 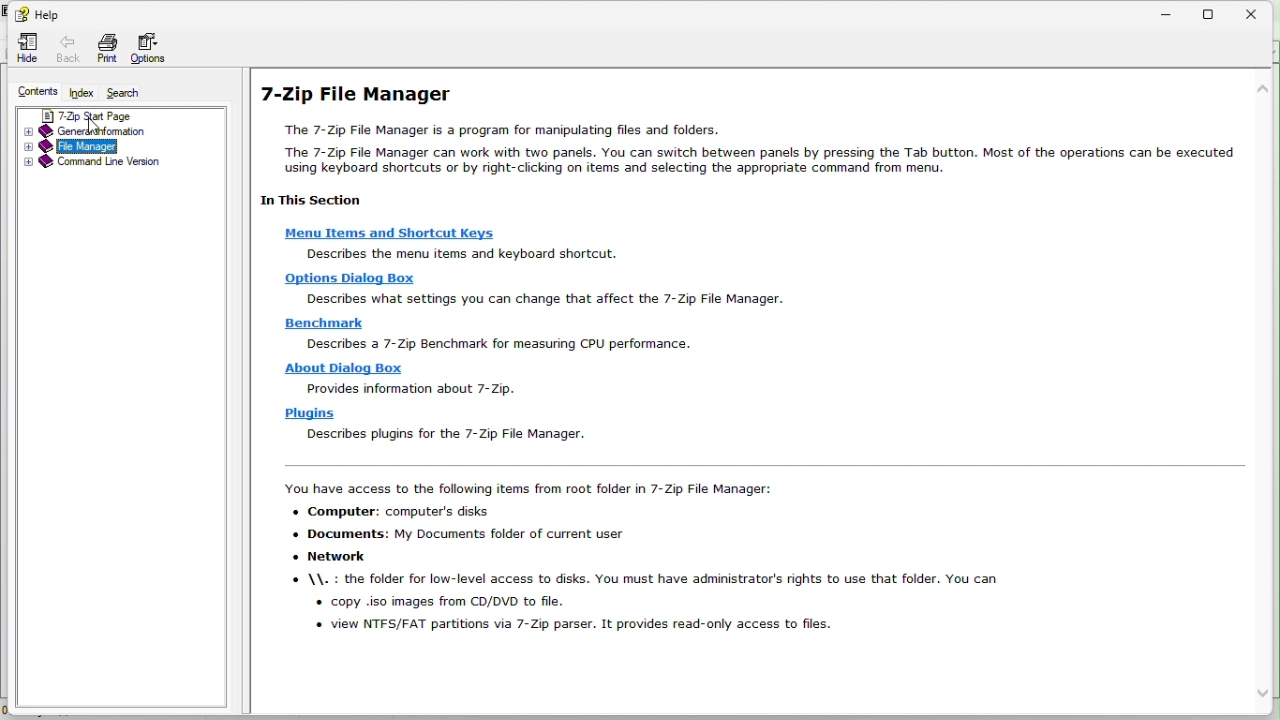 What do you see at coordinates (104, 48) in the screenshot?
I see `print` at bounding box center [104, 48].